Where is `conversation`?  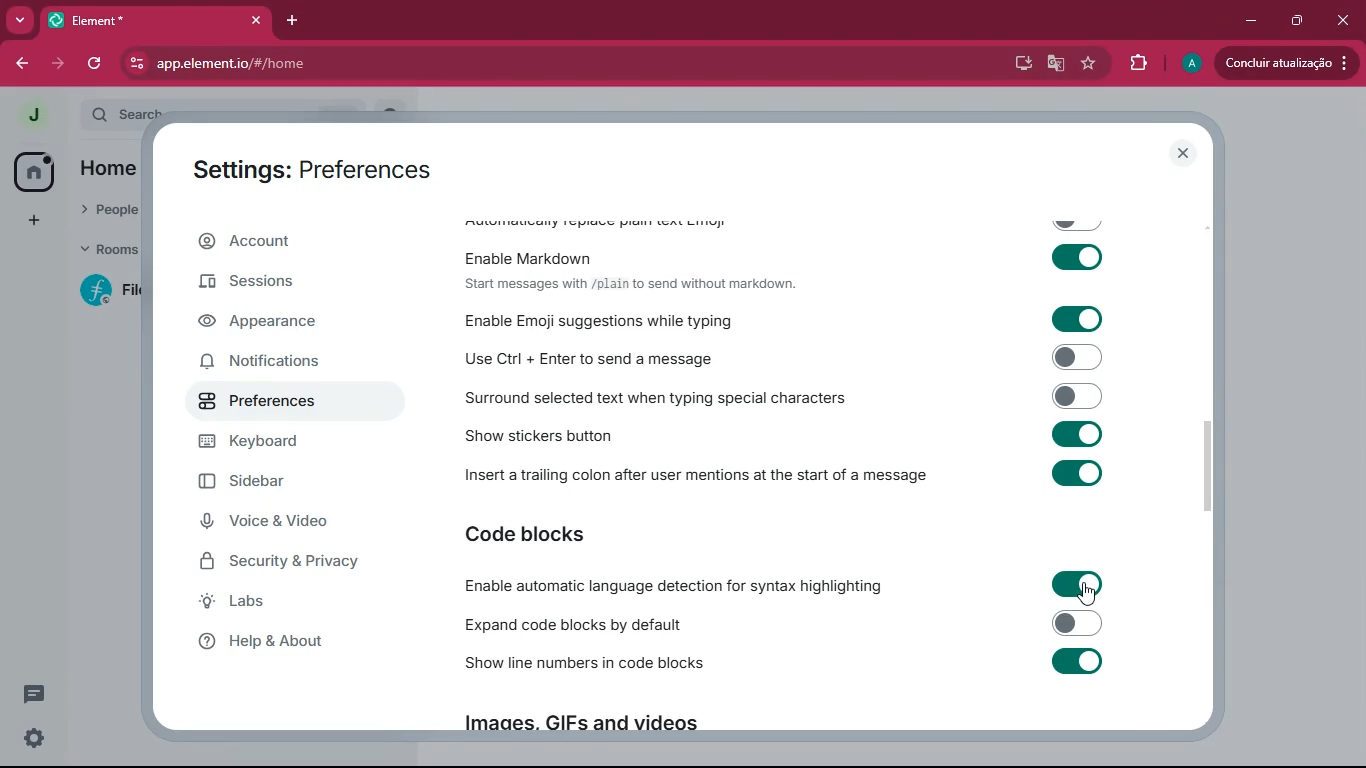
conversation is located at coordinates (32, 694).